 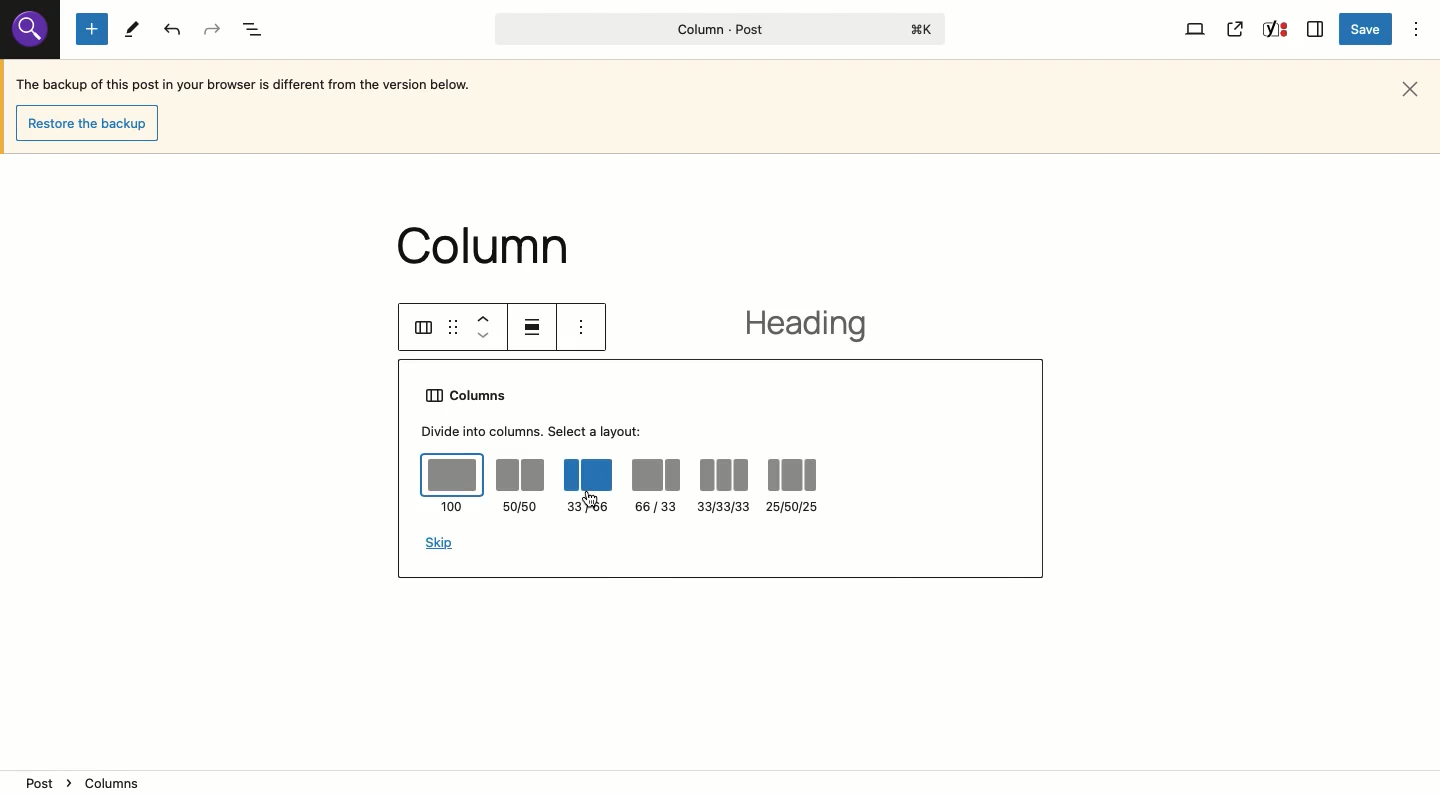 I want to click on The backup of this post in your browser is different from the version below., so click(x=245, y=87).